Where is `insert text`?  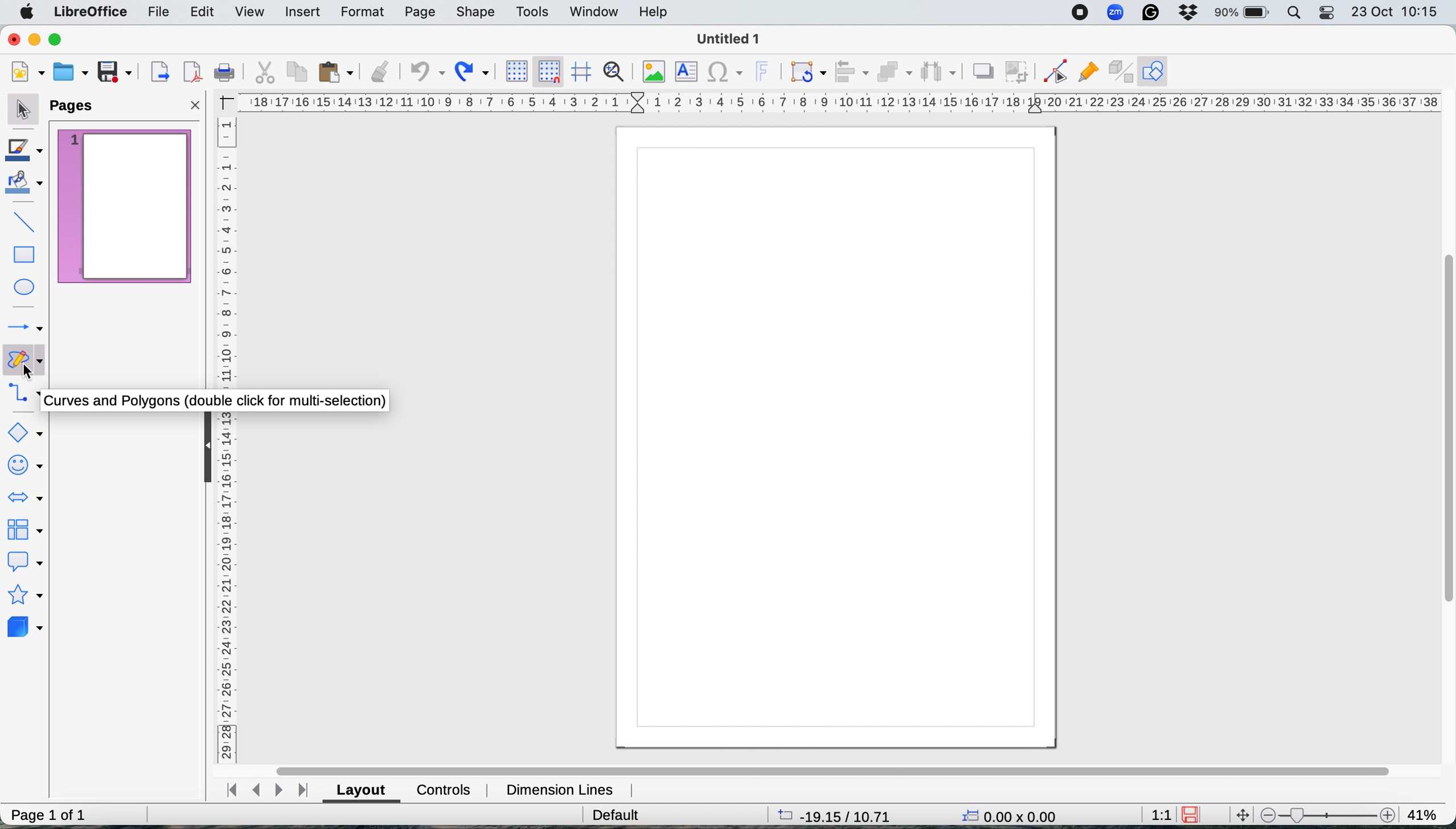
insert text is located at coordinates (689, 72).